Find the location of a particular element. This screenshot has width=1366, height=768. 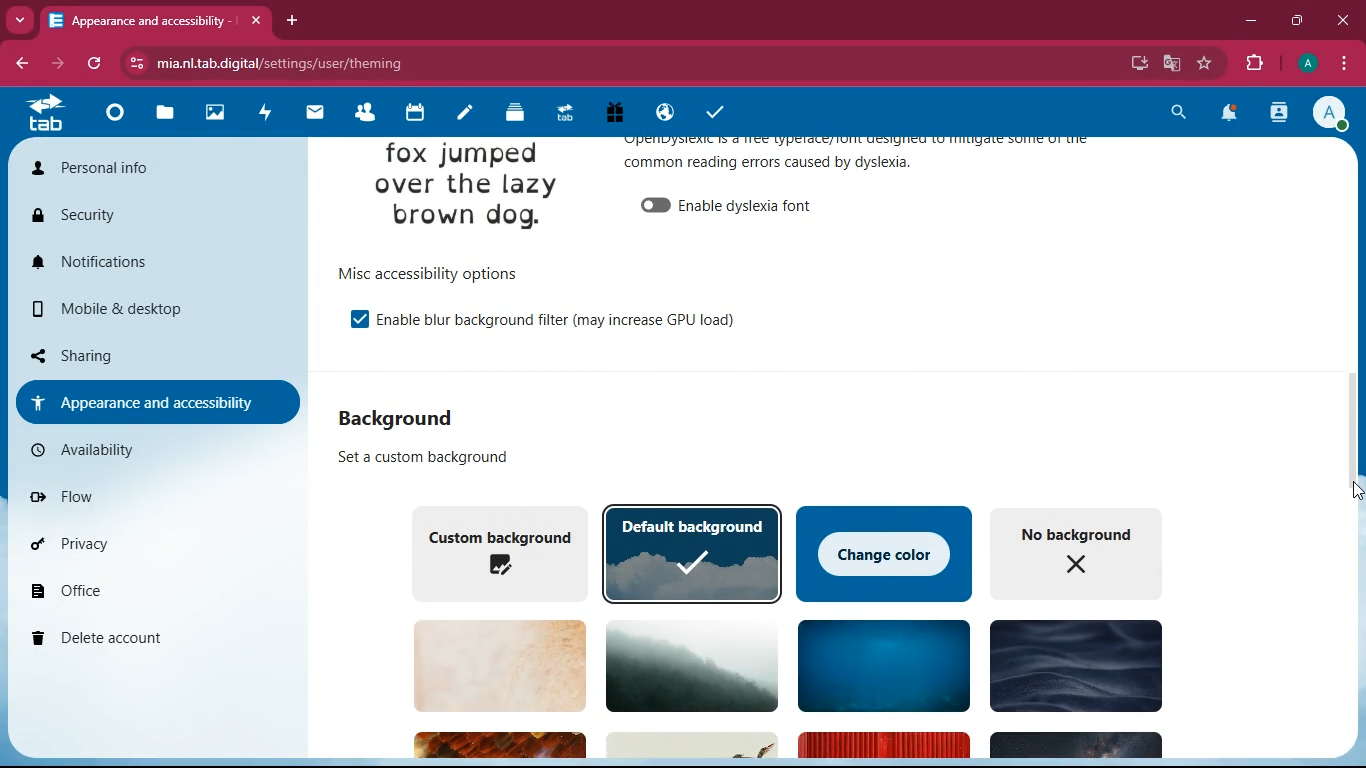

default is located at coordinates (689, 549).